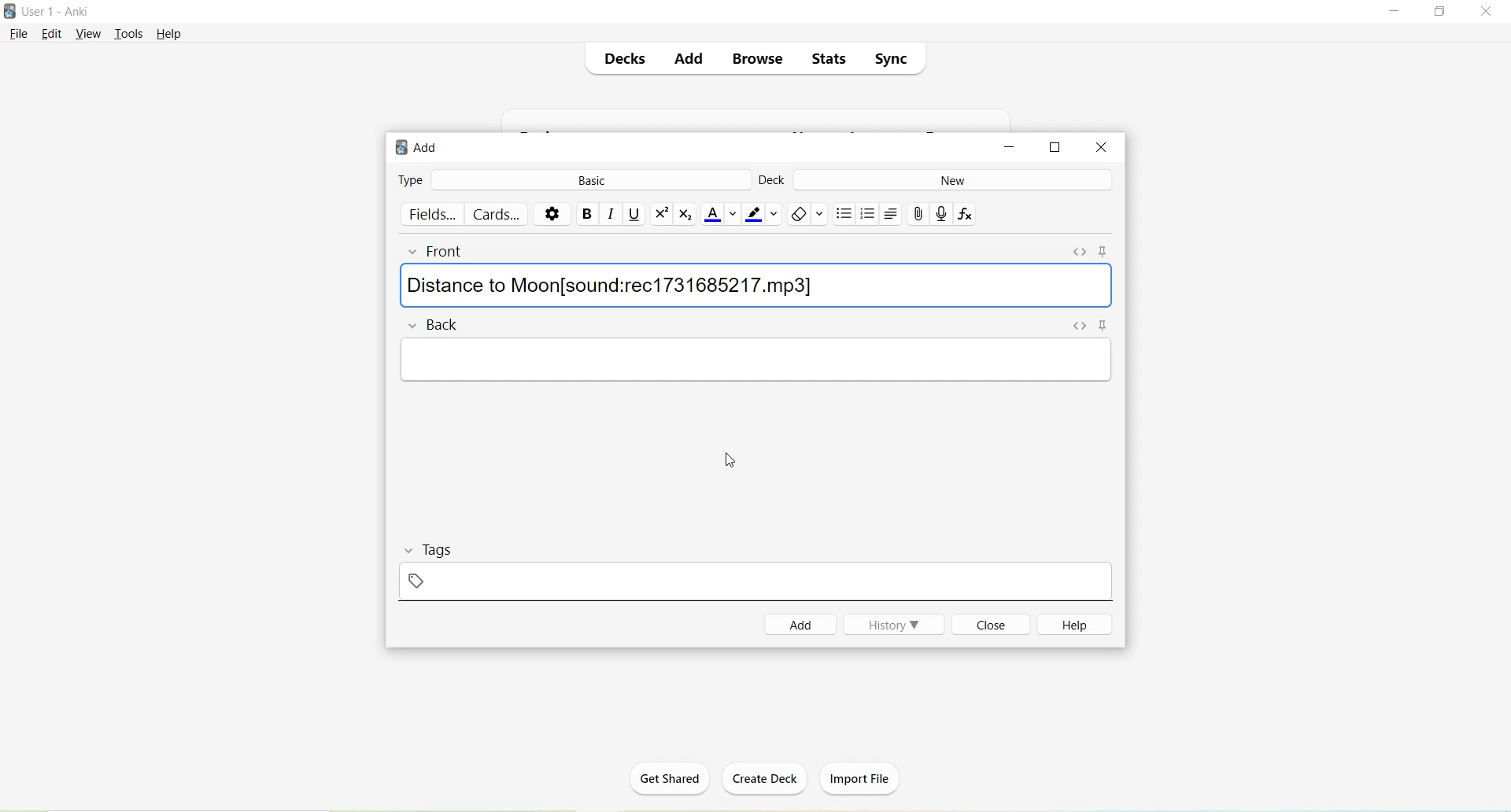 This screenshot has height=812, width=1511. Describe the element at coordinates (623, 57) in the screenshot. I see `Decks` at that location.